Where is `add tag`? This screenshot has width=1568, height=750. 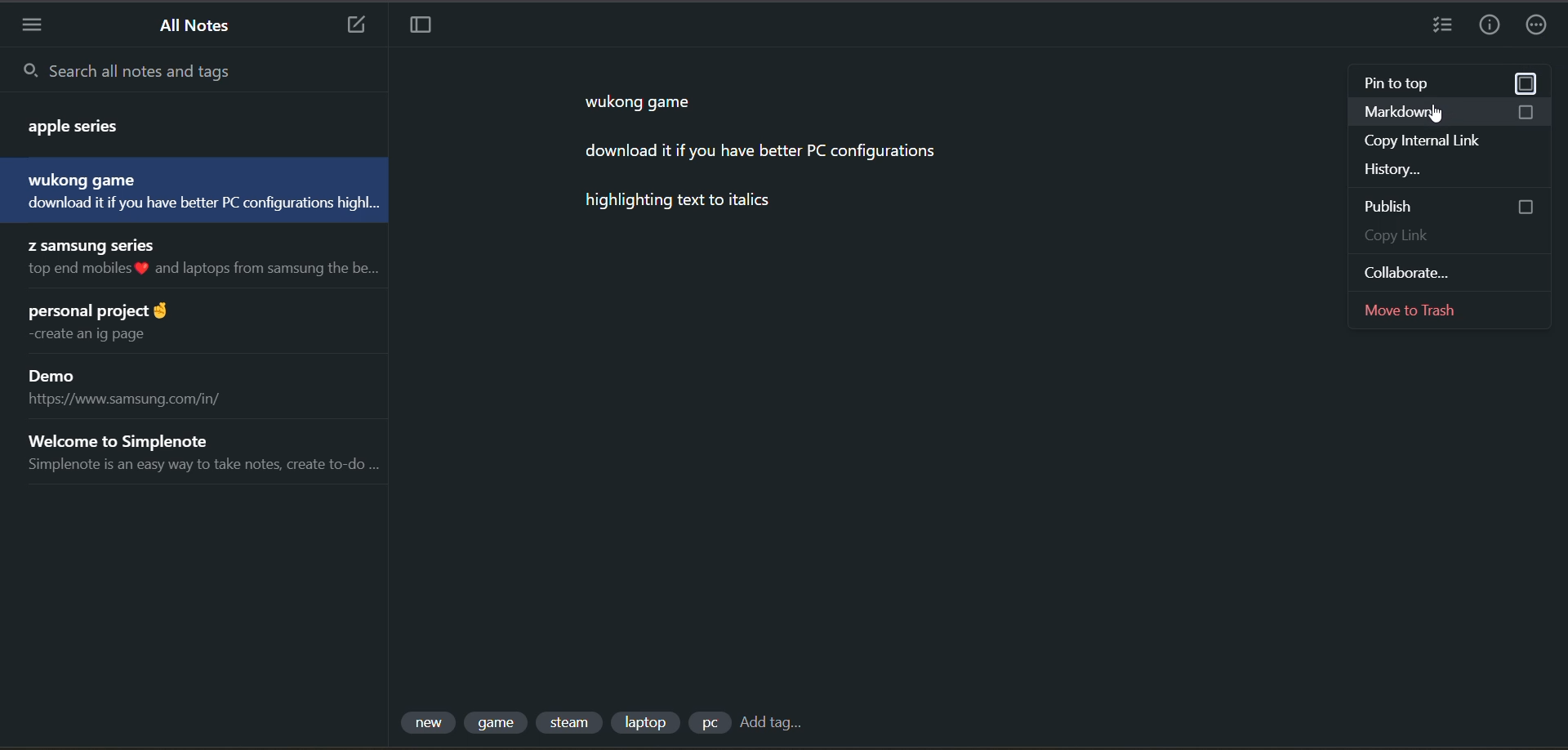 add tag is located at coordinates (770, 725).